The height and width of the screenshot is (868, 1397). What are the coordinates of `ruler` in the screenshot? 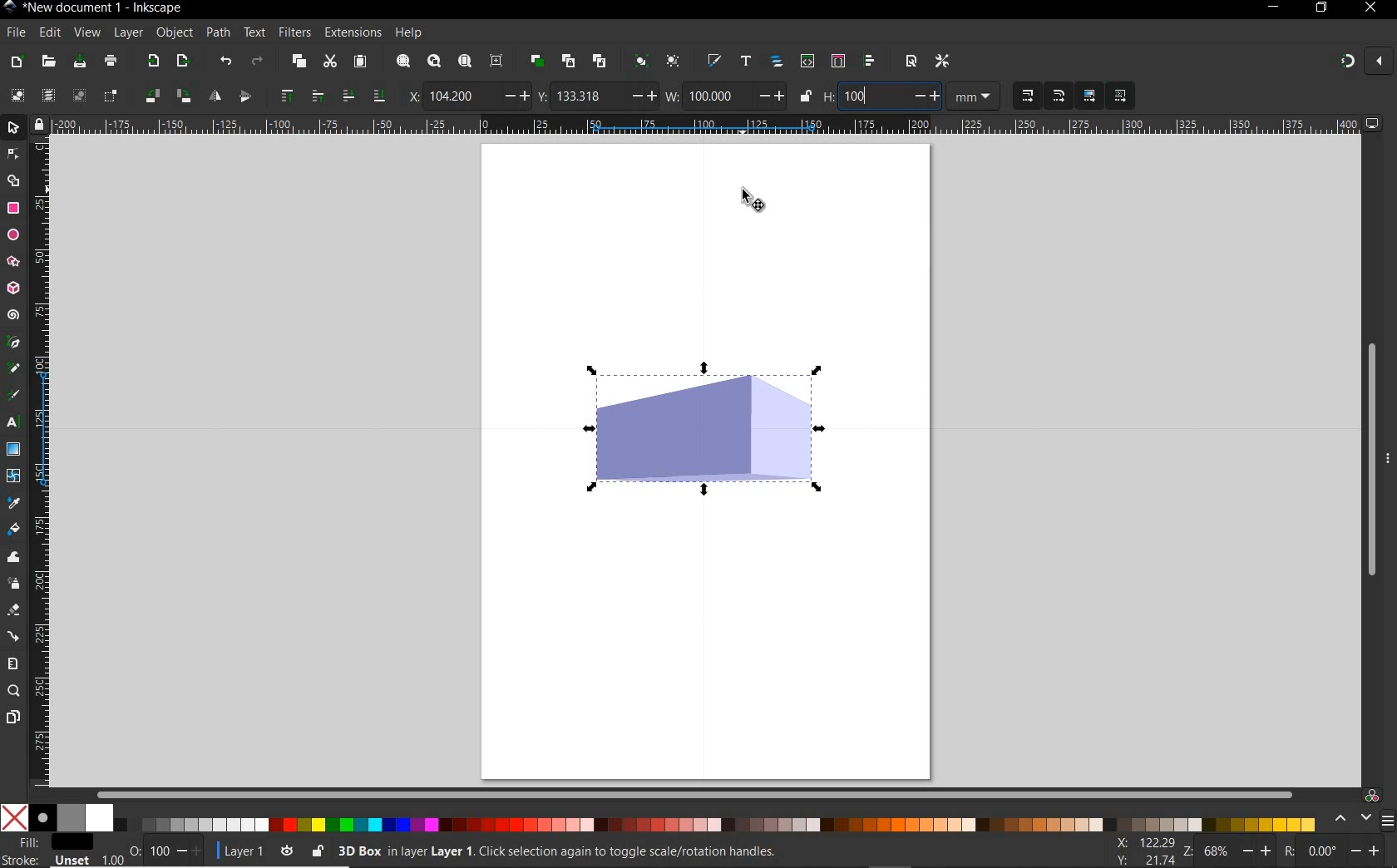 It's located at (42, 461).